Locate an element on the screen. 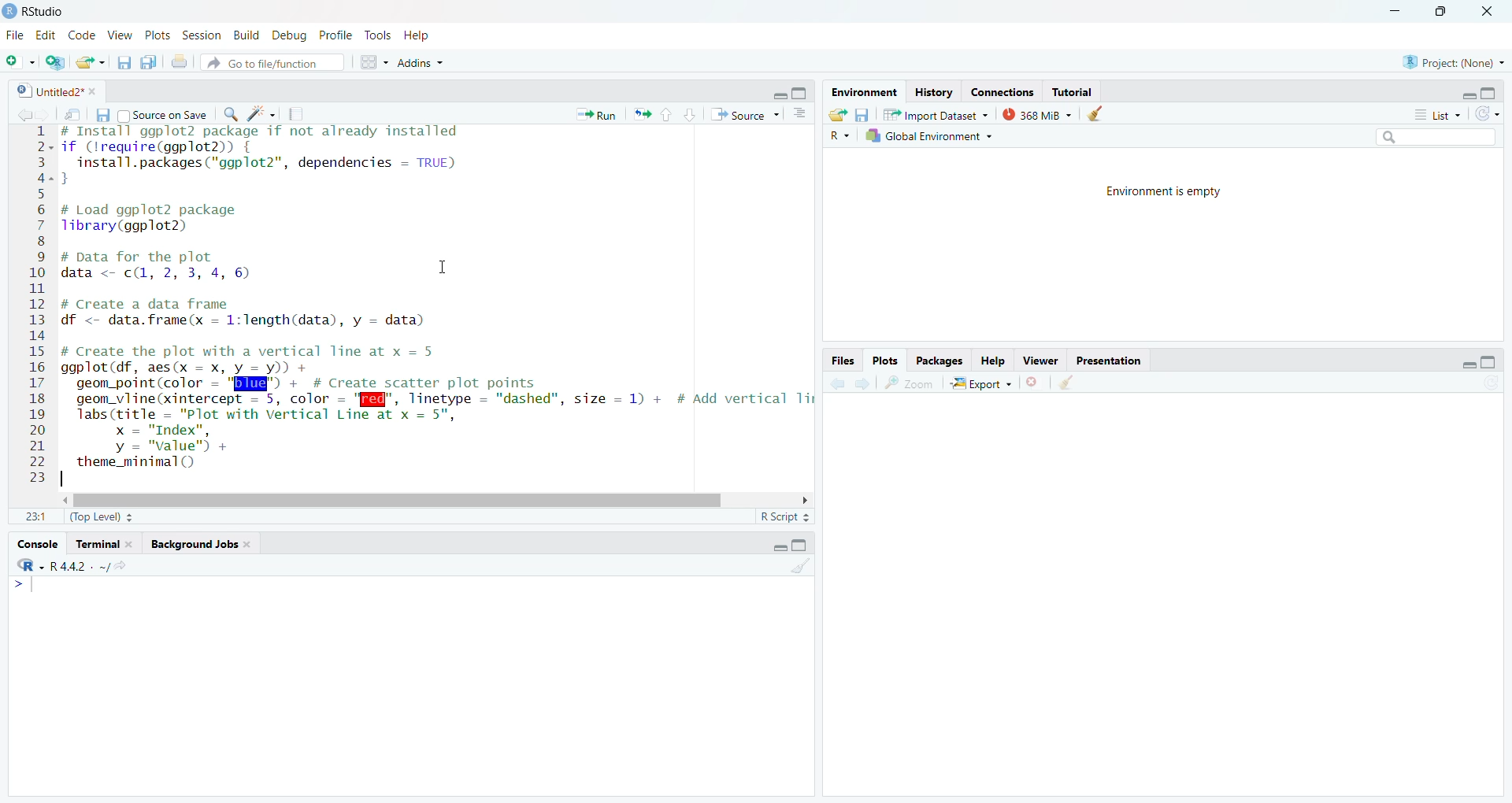  spark is located at coordinates (260, 113).